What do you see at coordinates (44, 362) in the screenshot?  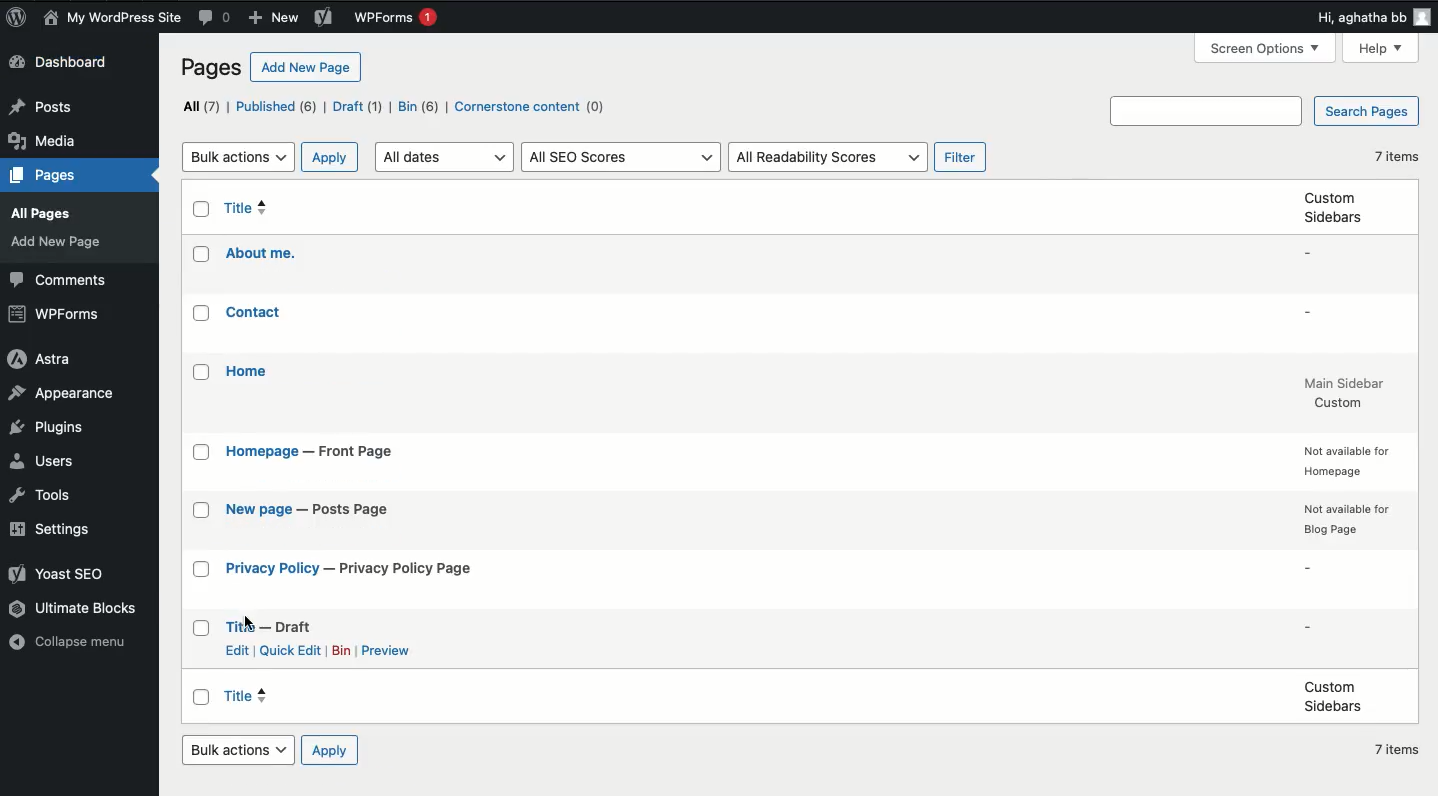 I see `Astra` at bounding box center [44, 362].